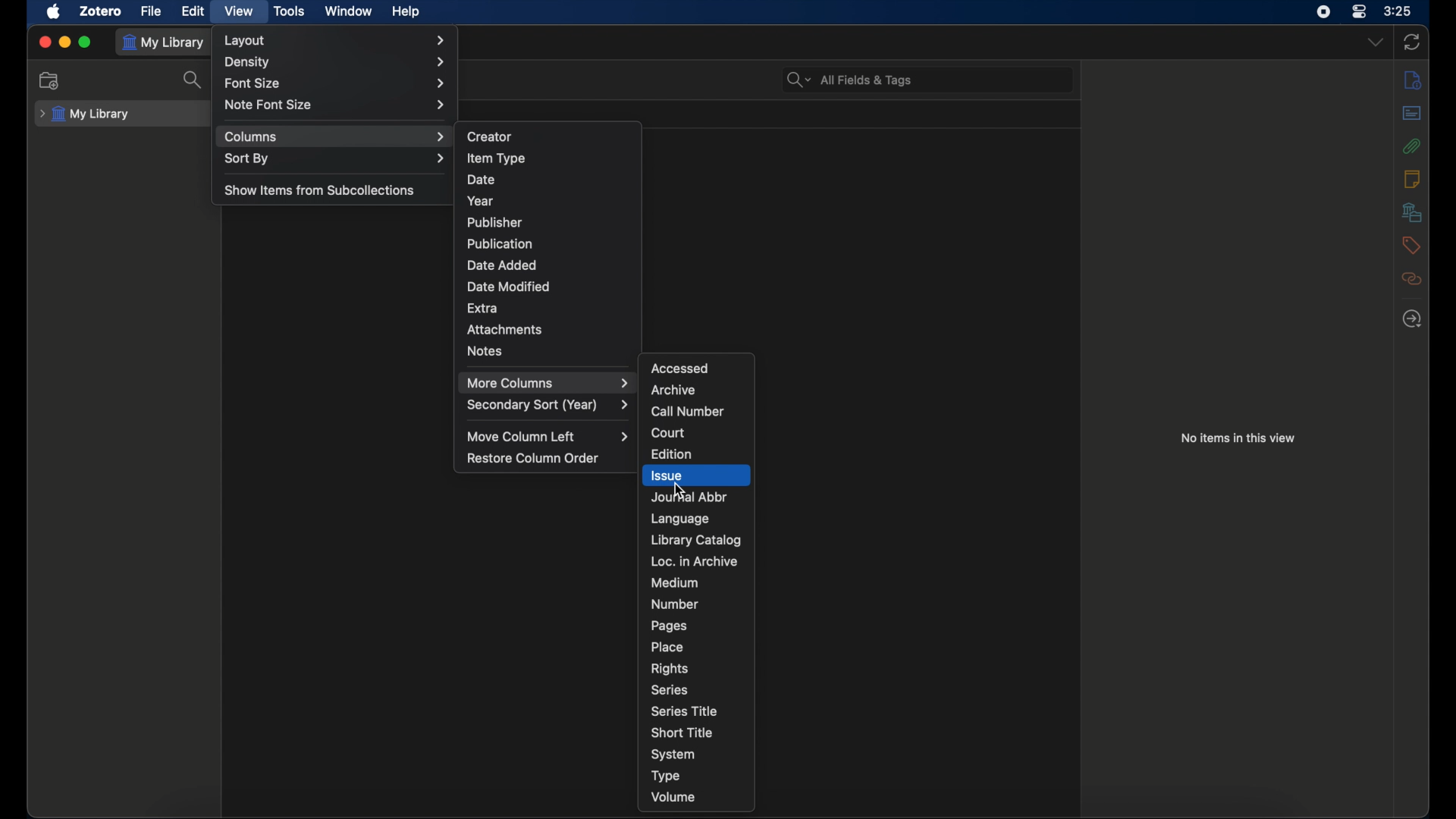  Describe the element at coordinates (674, 391) in the screenshot. I see `archive` at that location.